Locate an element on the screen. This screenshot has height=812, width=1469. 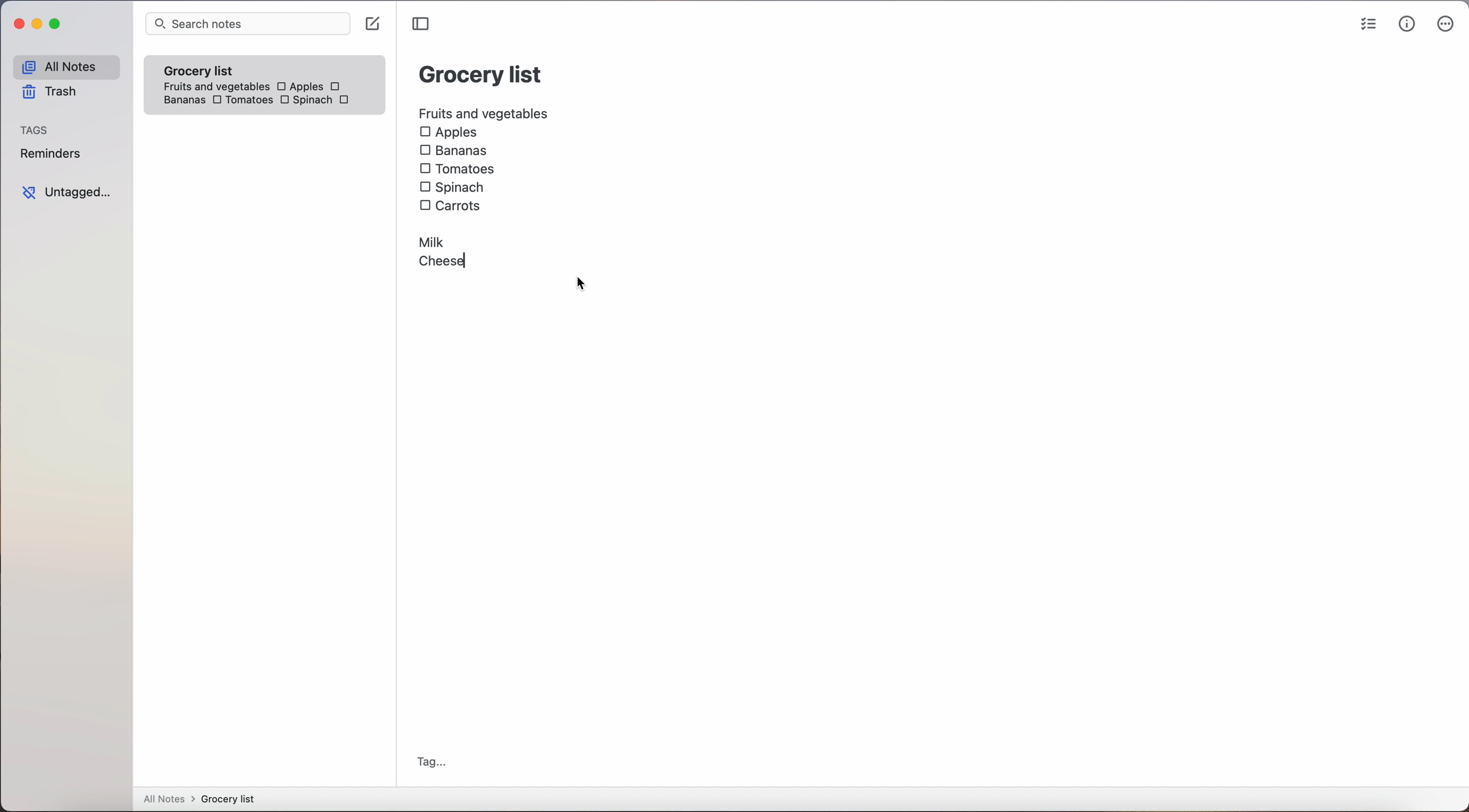
minimize is located at coordinates (39, 23).